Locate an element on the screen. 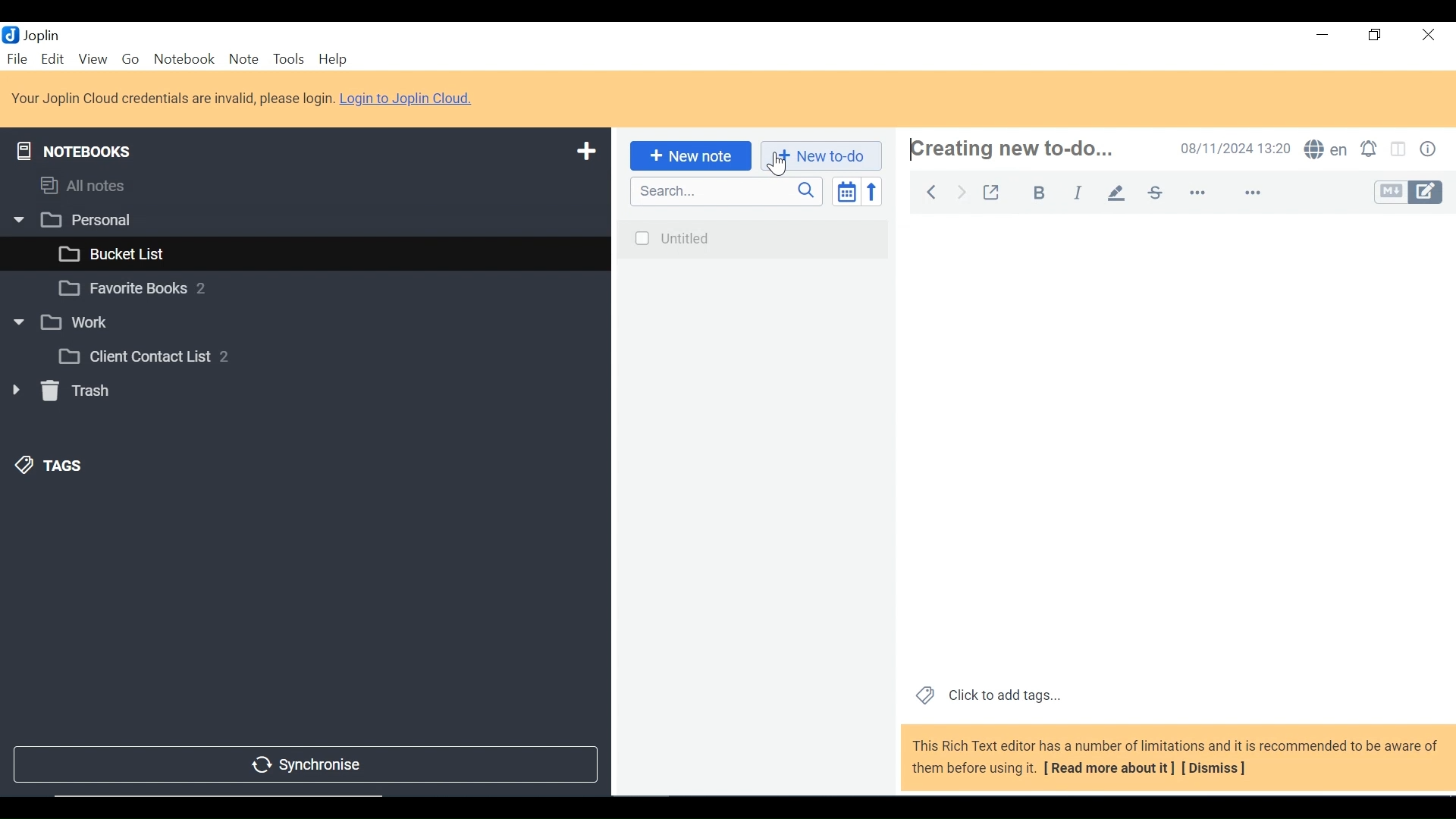  Toggle Editor is located at coordinates (1407, 193).